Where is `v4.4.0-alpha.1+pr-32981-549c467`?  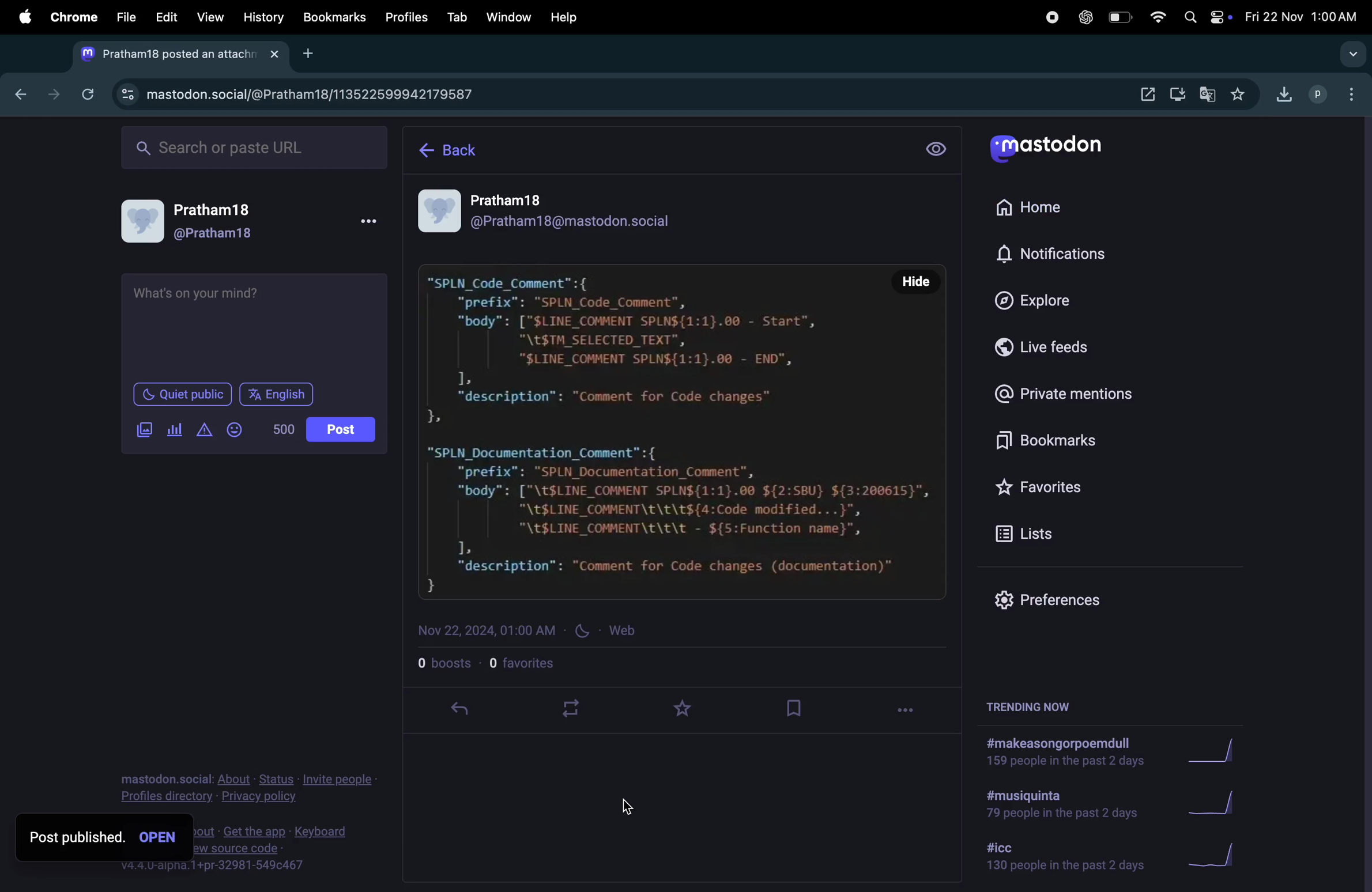 v4.4.0-alpha.1+pr-32981-549c467 is located at coordinates (212, 866).